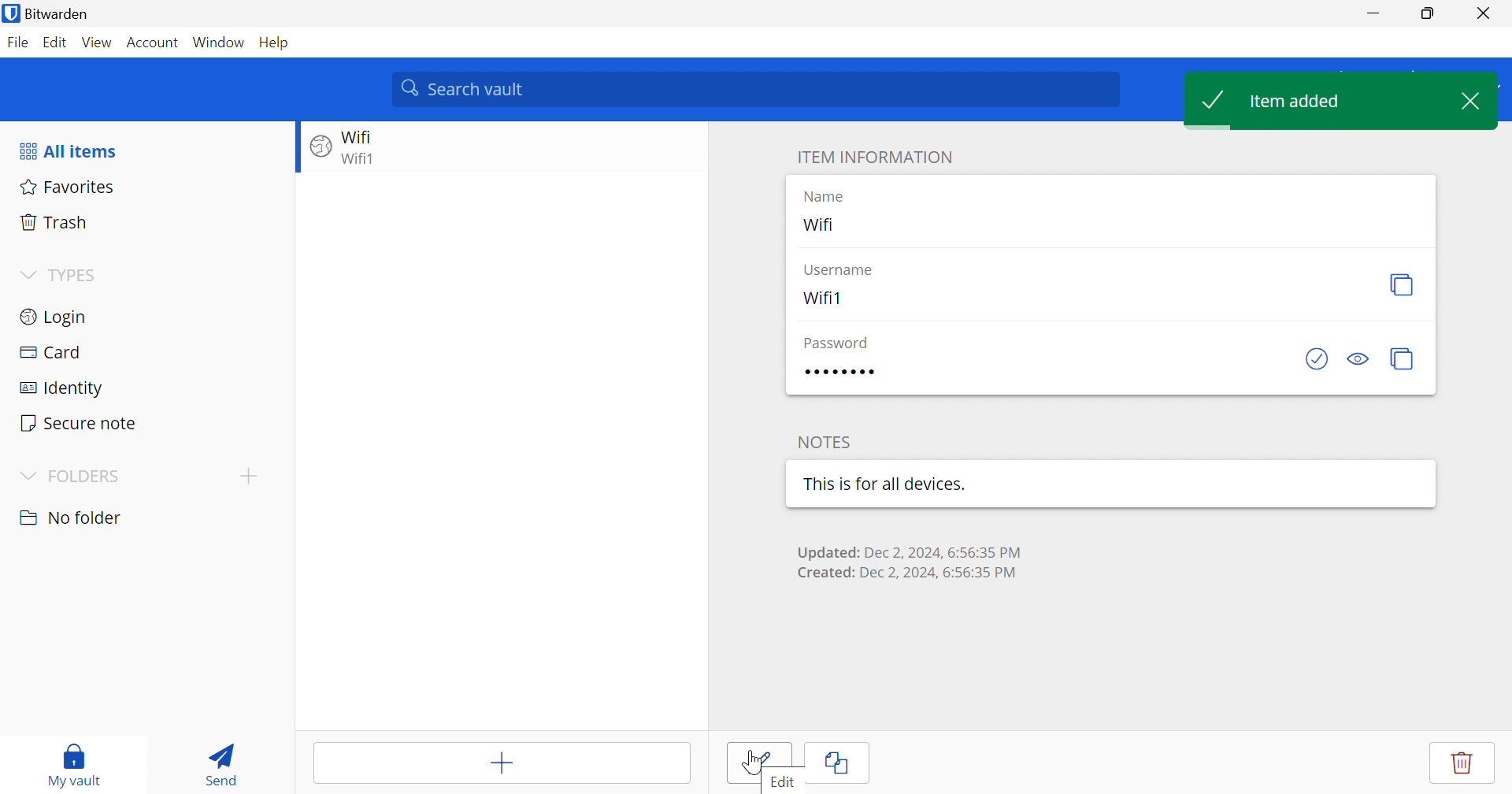  What do you see at coordinates (818, 222) in the screenshot?
I see `Wifi` at bounding box center [818, 222].